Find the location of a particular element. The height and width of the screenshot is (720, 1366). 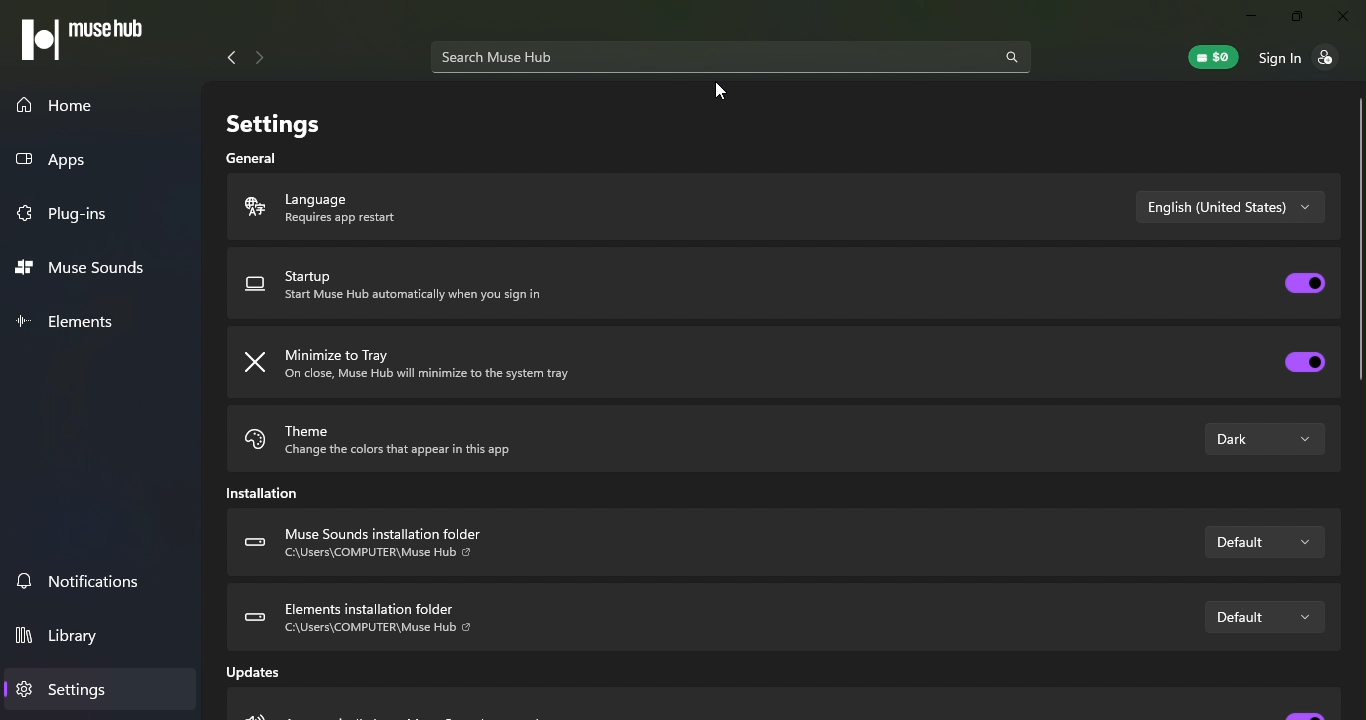

Drop down menu is located at coordinates (1262, 542).